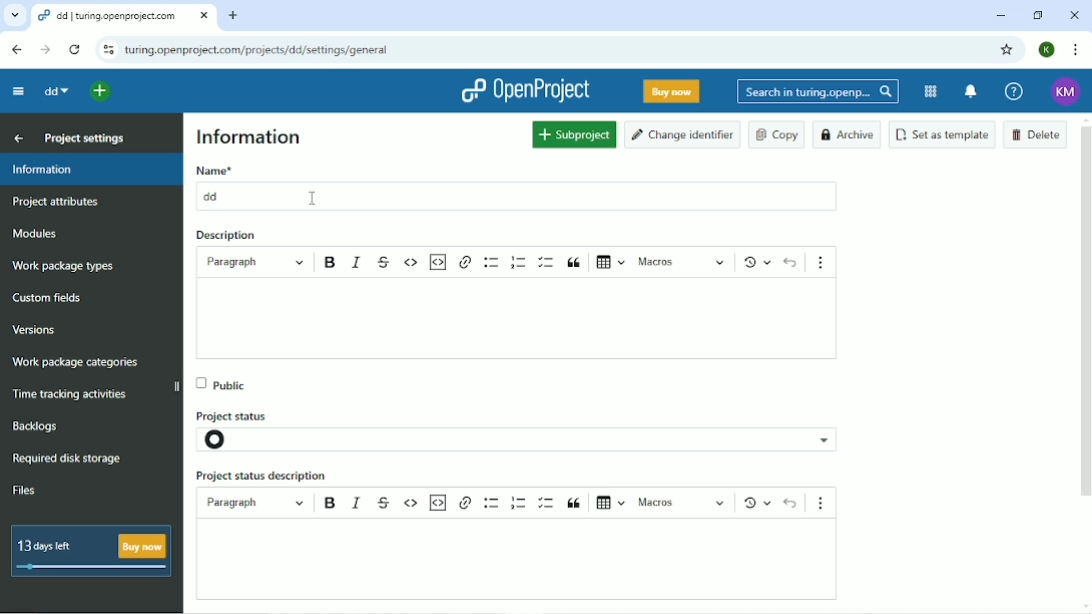  I want to click on vertical scroll bar, so click(1089, 314).